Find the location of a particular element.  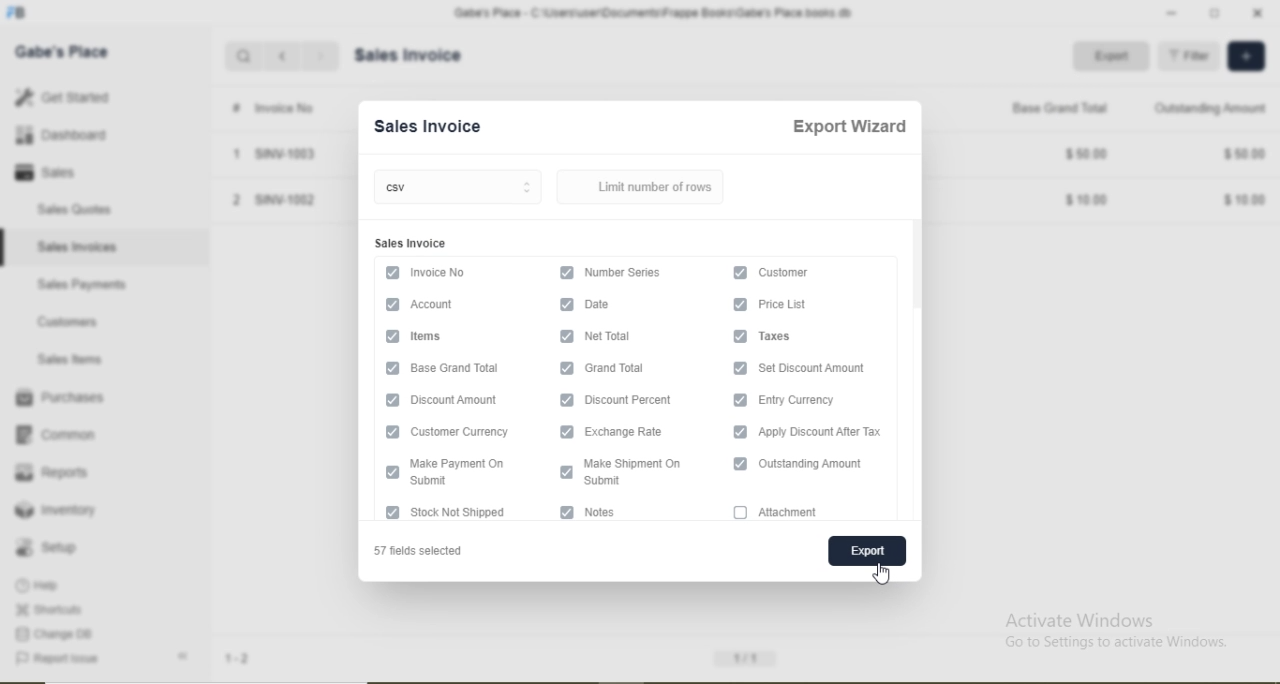

add is located at coordinates (1244, 56).